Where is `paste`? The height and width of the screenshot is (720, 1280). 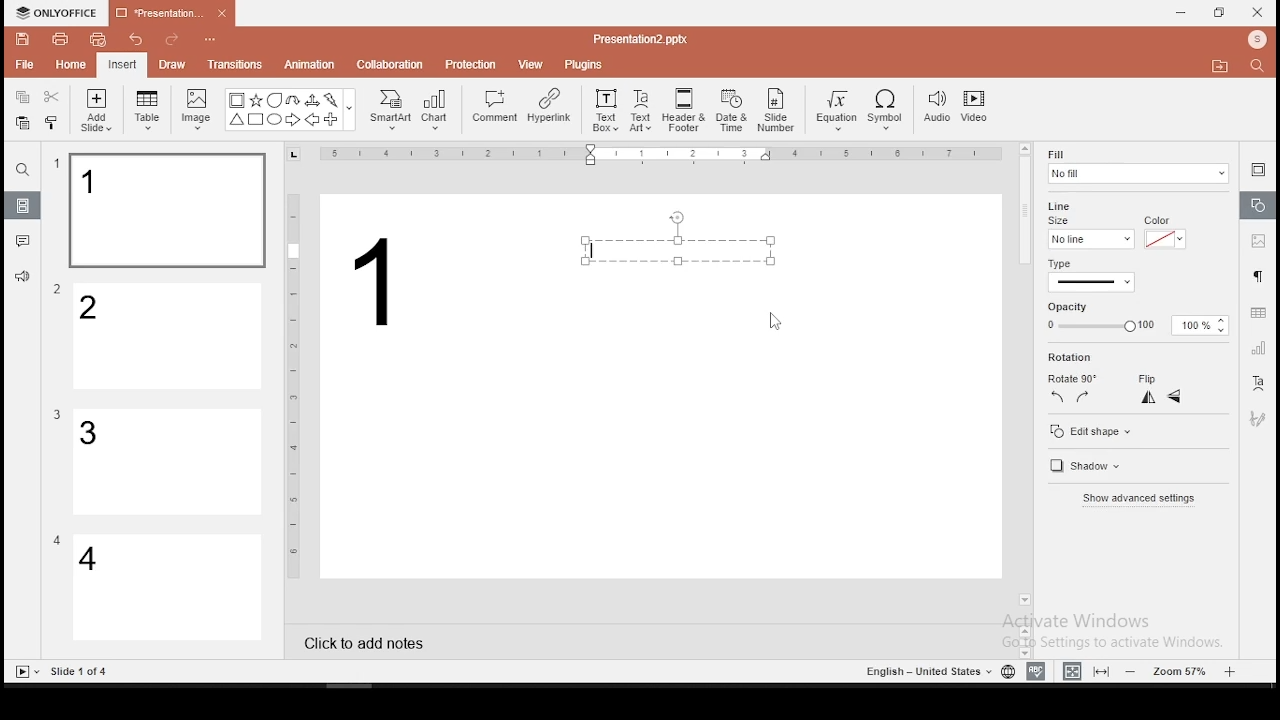 paste is located at coordinates (21, 123).